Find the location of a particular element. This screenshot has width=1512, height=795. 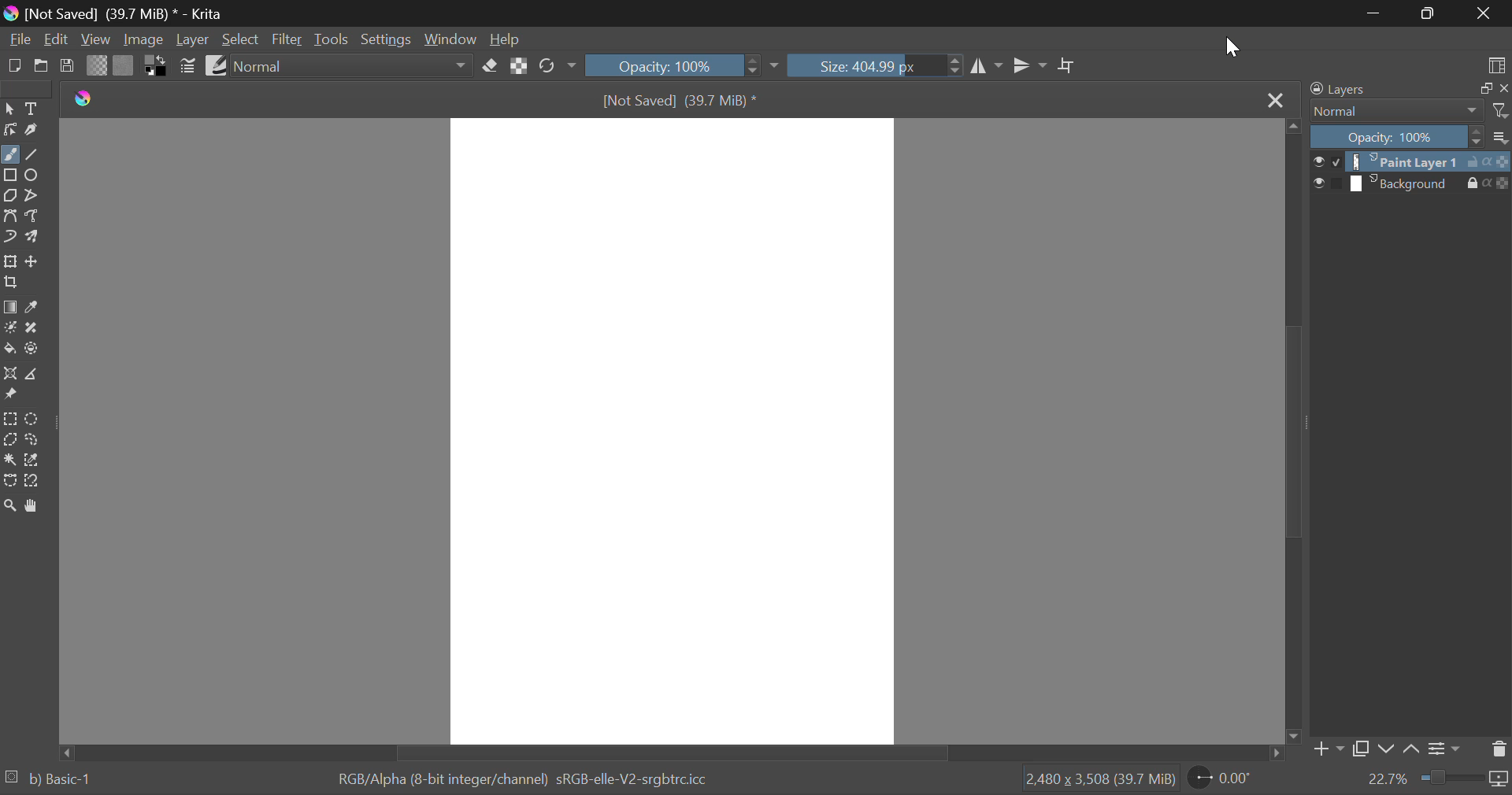

Minimize is located at coordinates (1429, 13).